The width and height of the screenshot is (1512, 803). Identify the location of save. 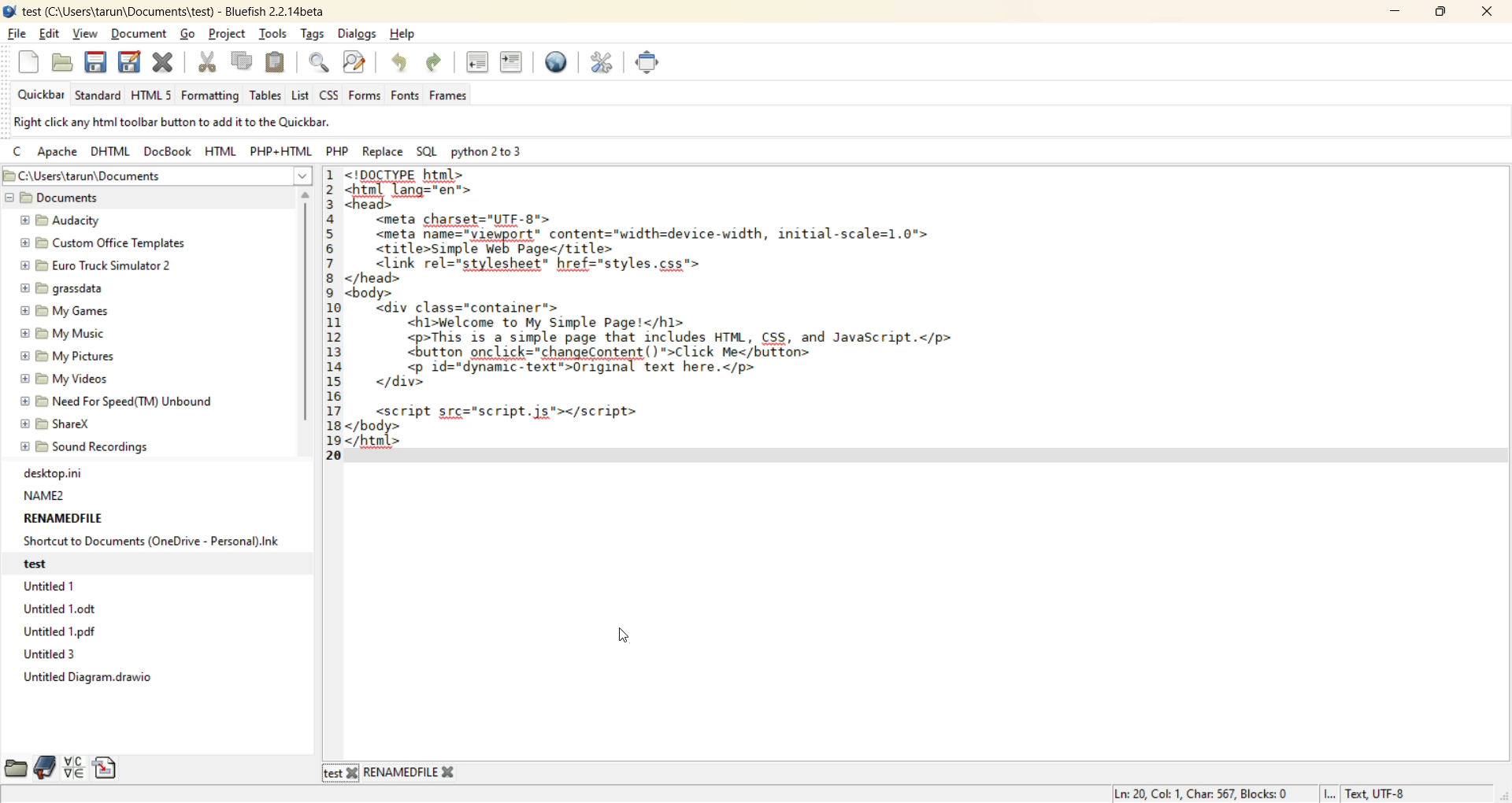
(95, 63).